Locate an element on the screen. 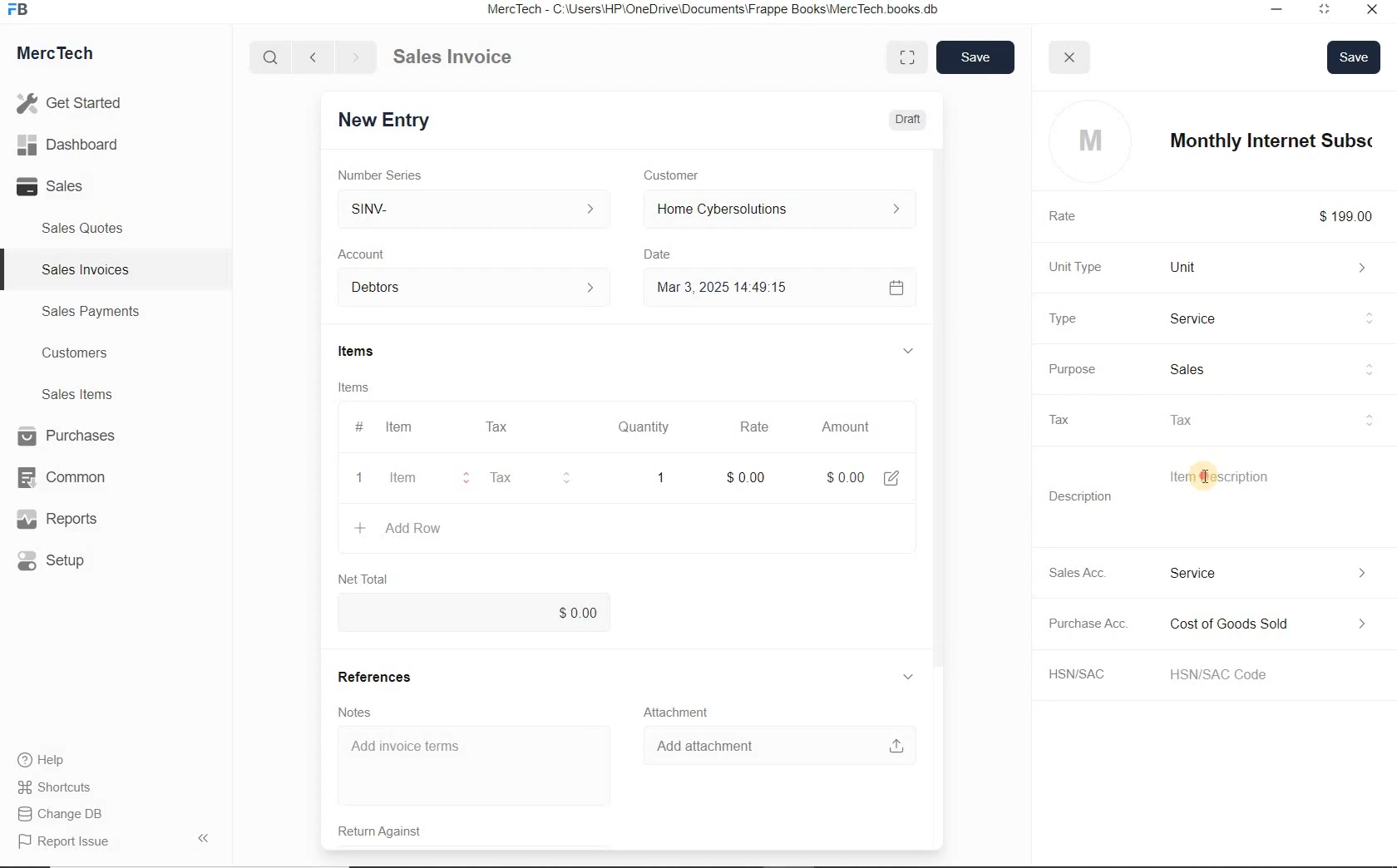 The image size is (1397, 868). Shortcuts is located at coordinates (62, 788).